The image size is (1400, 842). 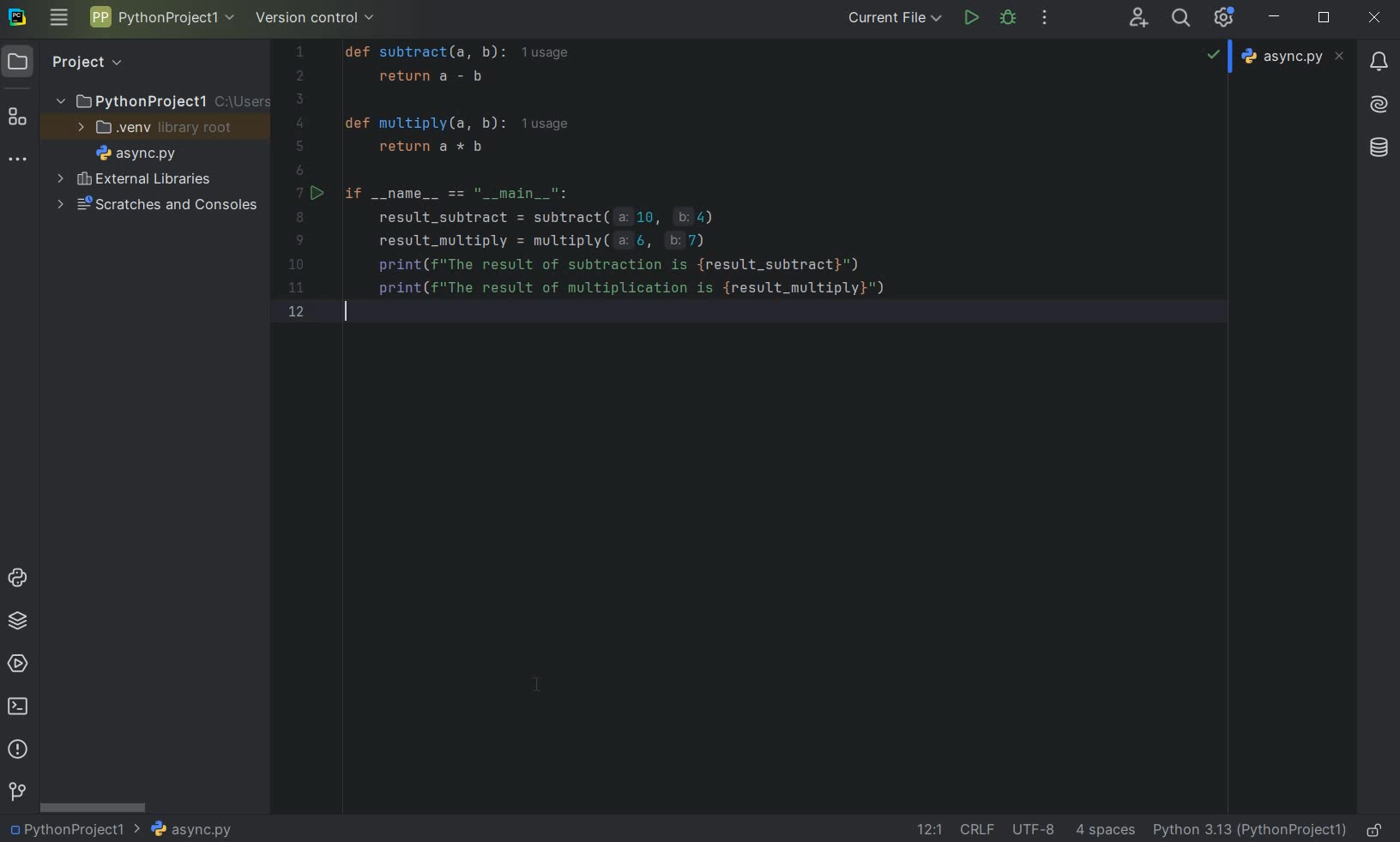 I want to click on project name, so click(x=163, y=102).